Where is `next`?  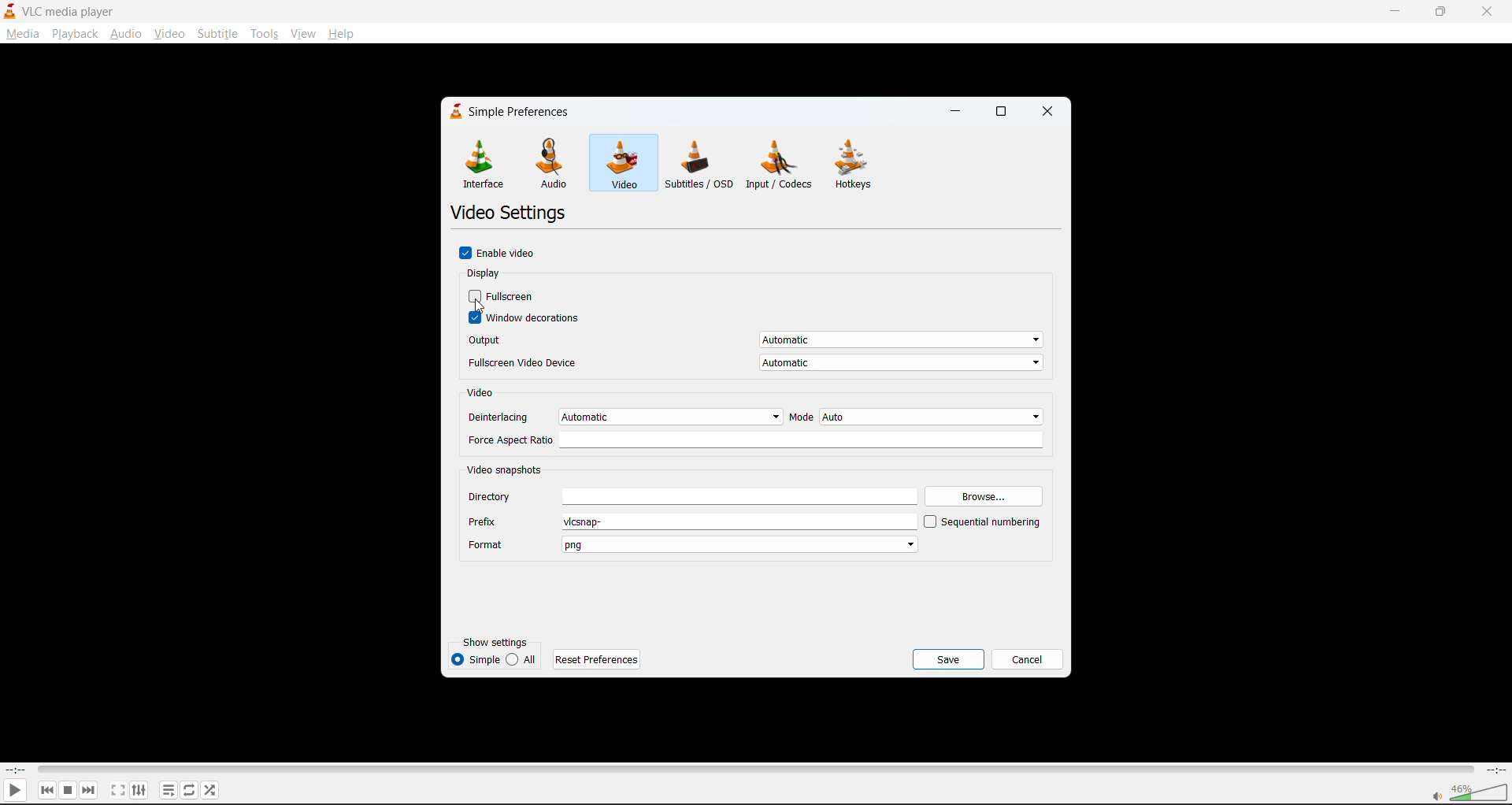
next is located at coordinates (92, 789).